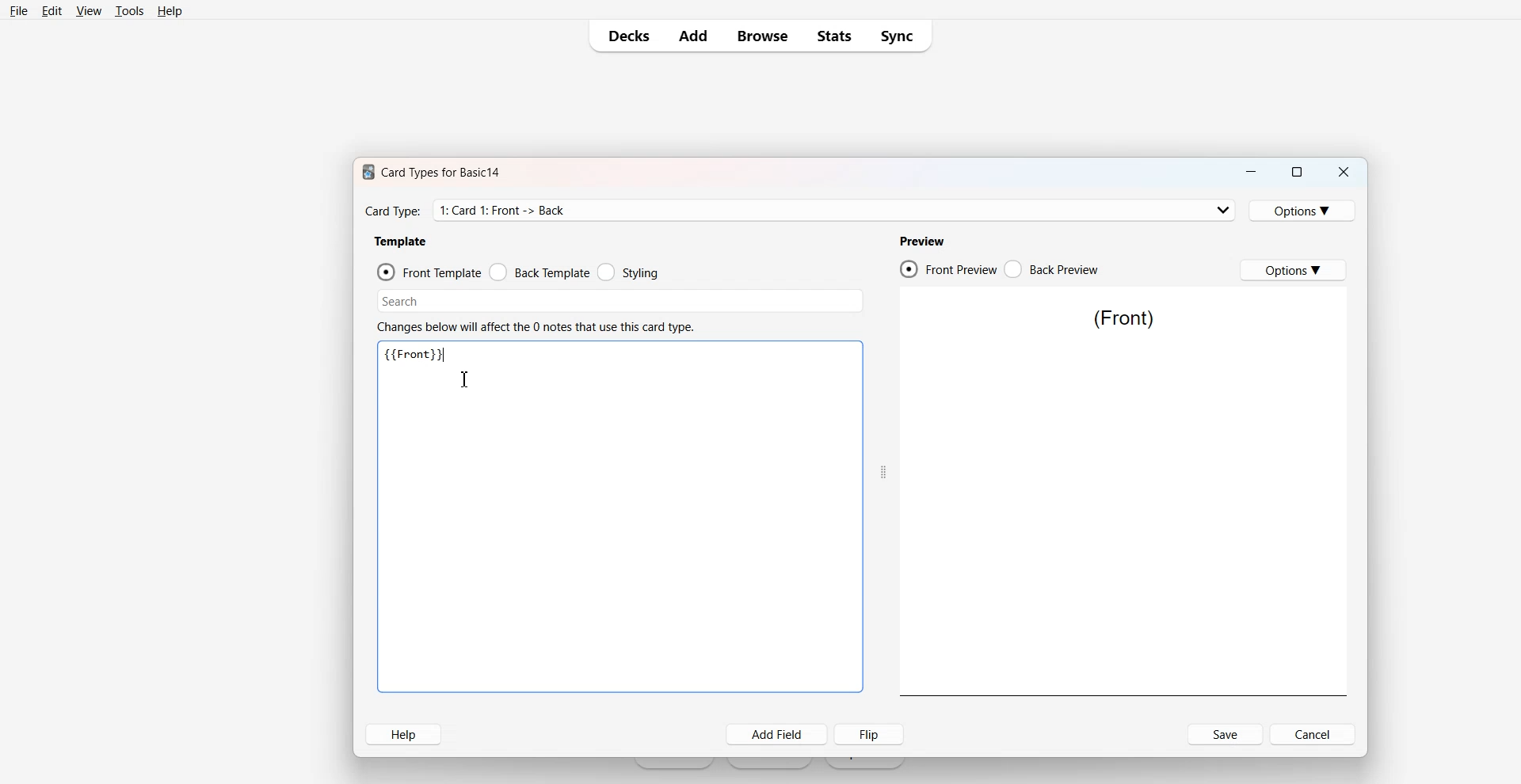 This screenshot has height=784, width=1521. I want to click on Card Type, so click(834, 211).